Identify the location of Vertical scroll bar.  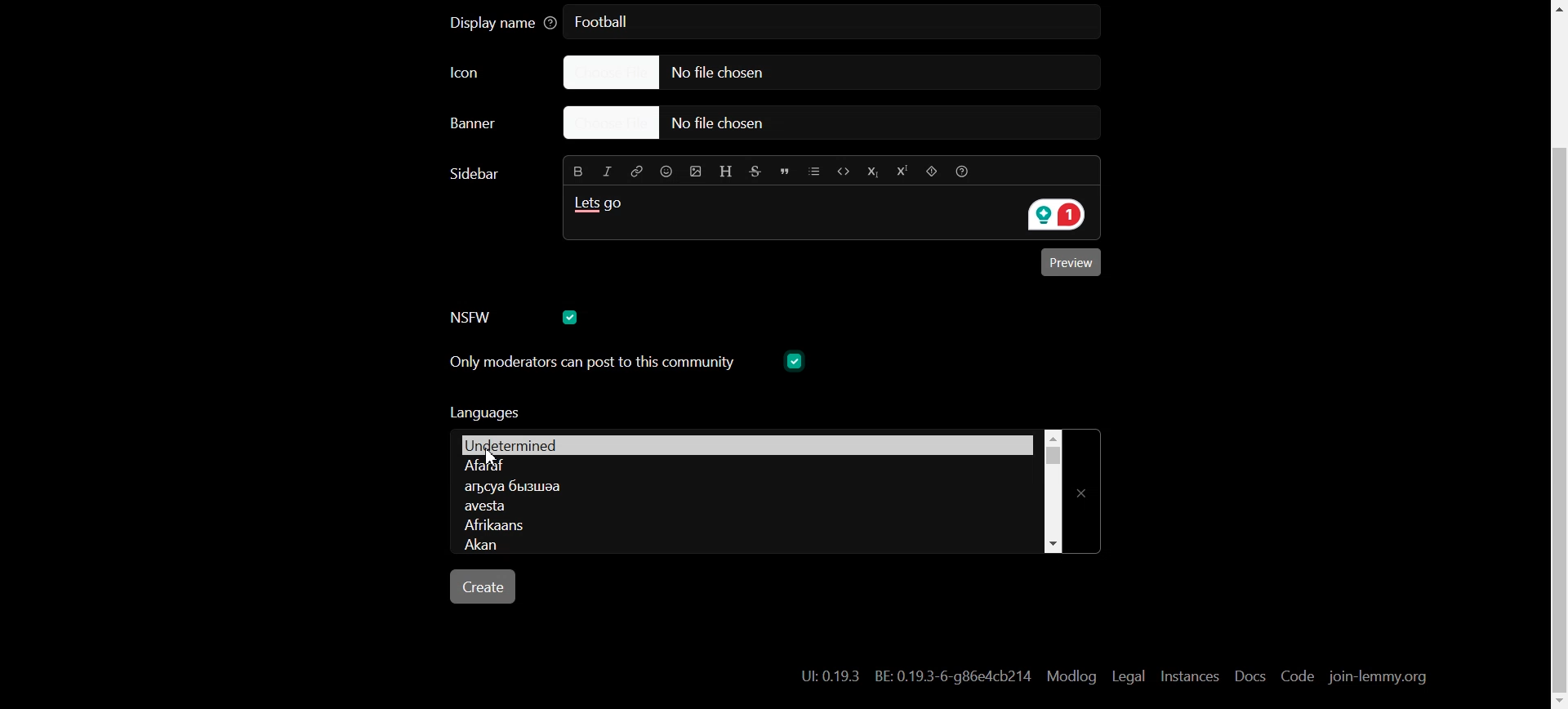
(1052, 488).